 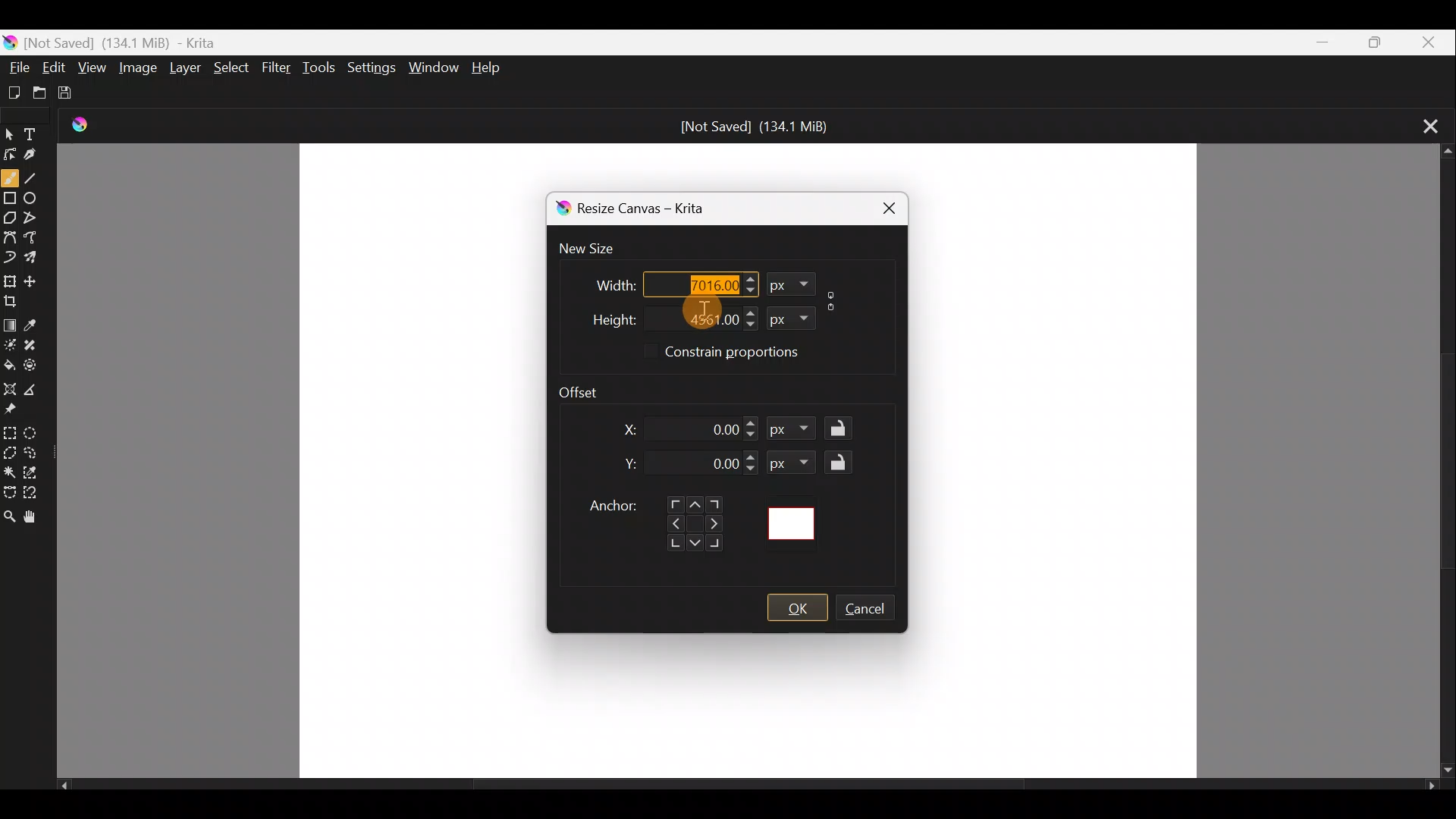 What do you see at coordinates (881, 206) in the screenshot?
I see `Close` at bounding box center [881, 206].